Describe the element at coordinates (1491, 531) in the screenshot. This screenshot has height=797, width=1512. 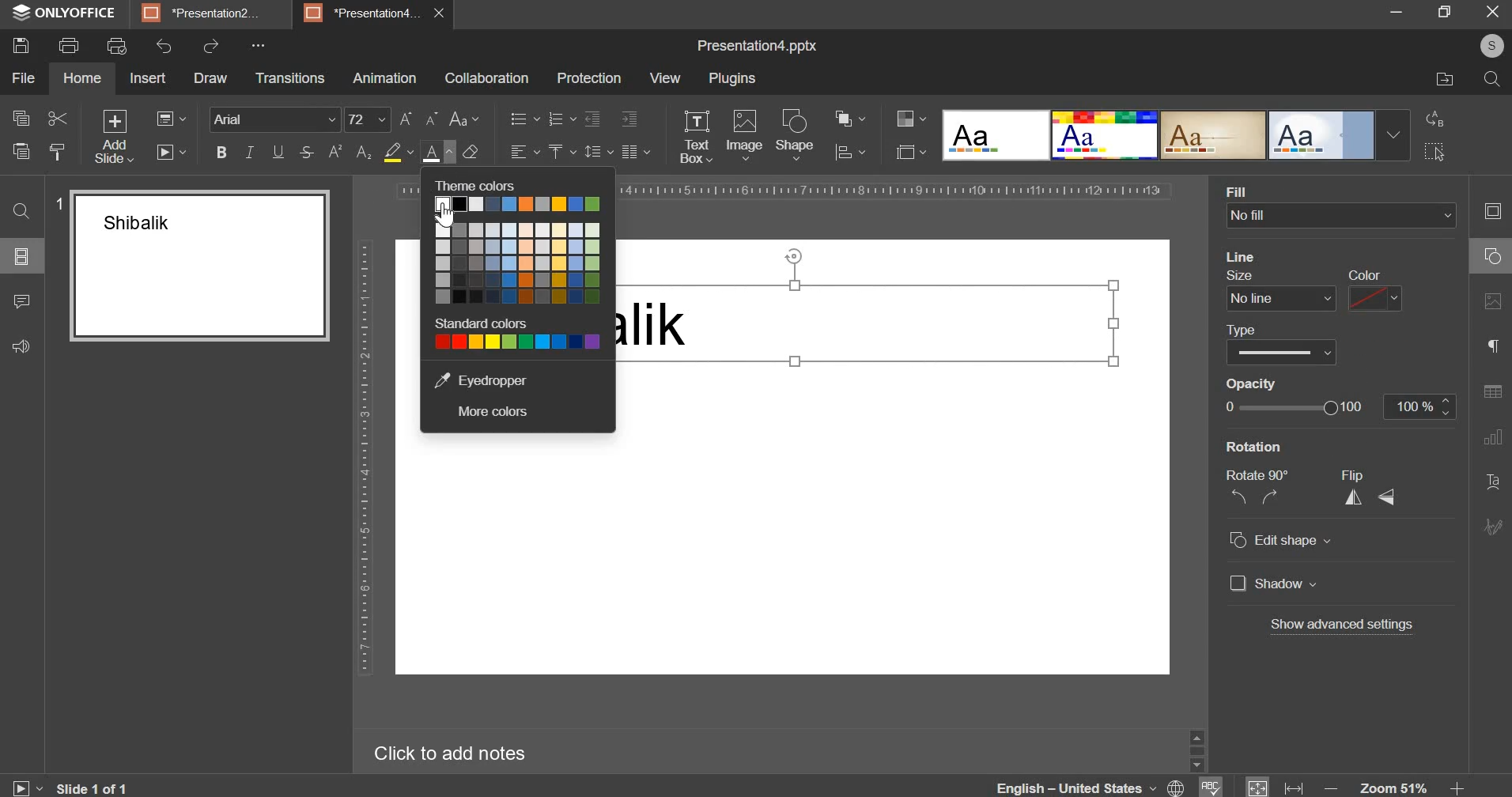
I see `` at that location.